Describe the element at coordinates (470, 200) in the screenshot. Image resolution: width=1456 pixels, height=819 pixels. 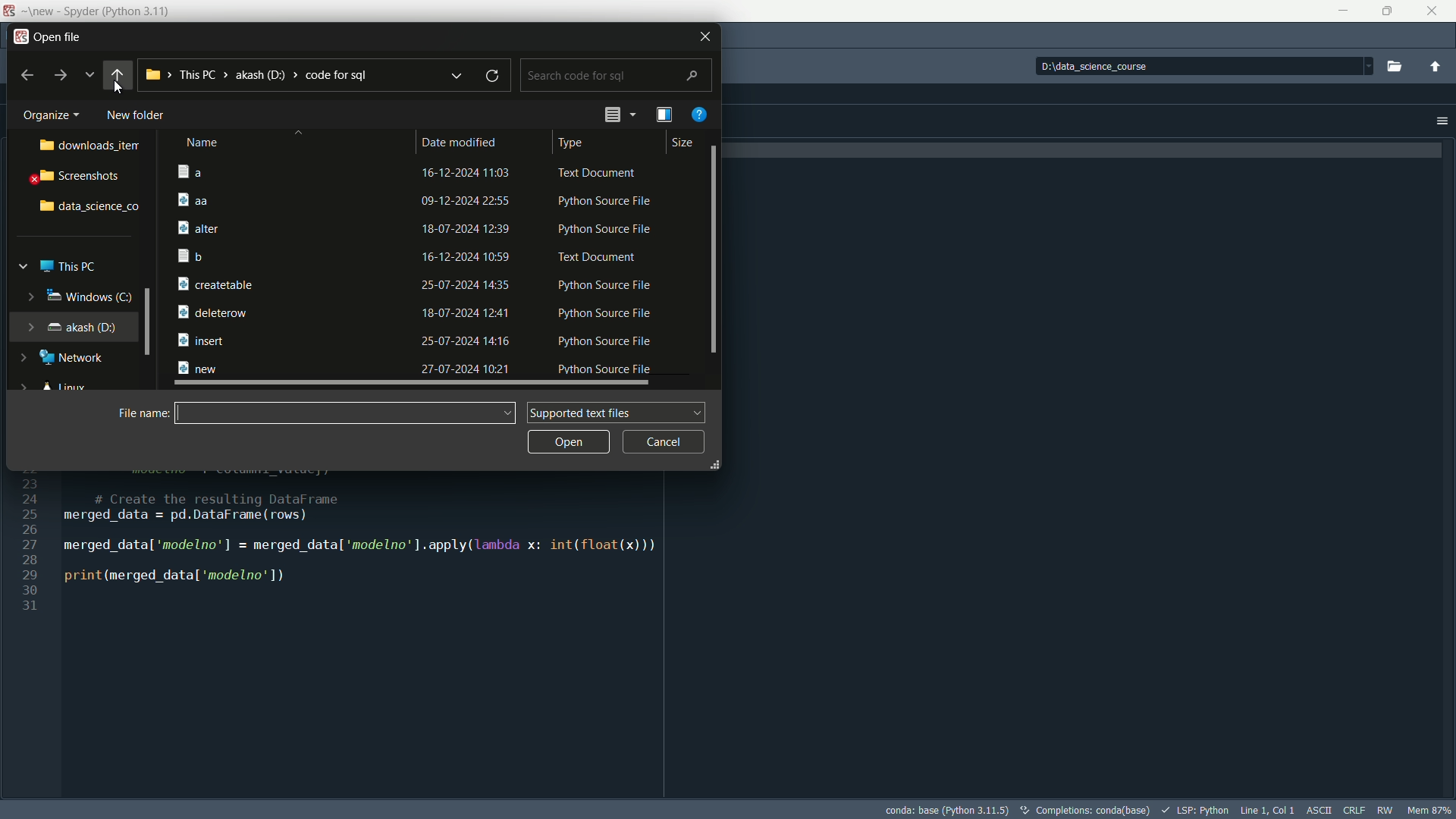
I see `09-12-2024 22:55 Python Source File` at that location.